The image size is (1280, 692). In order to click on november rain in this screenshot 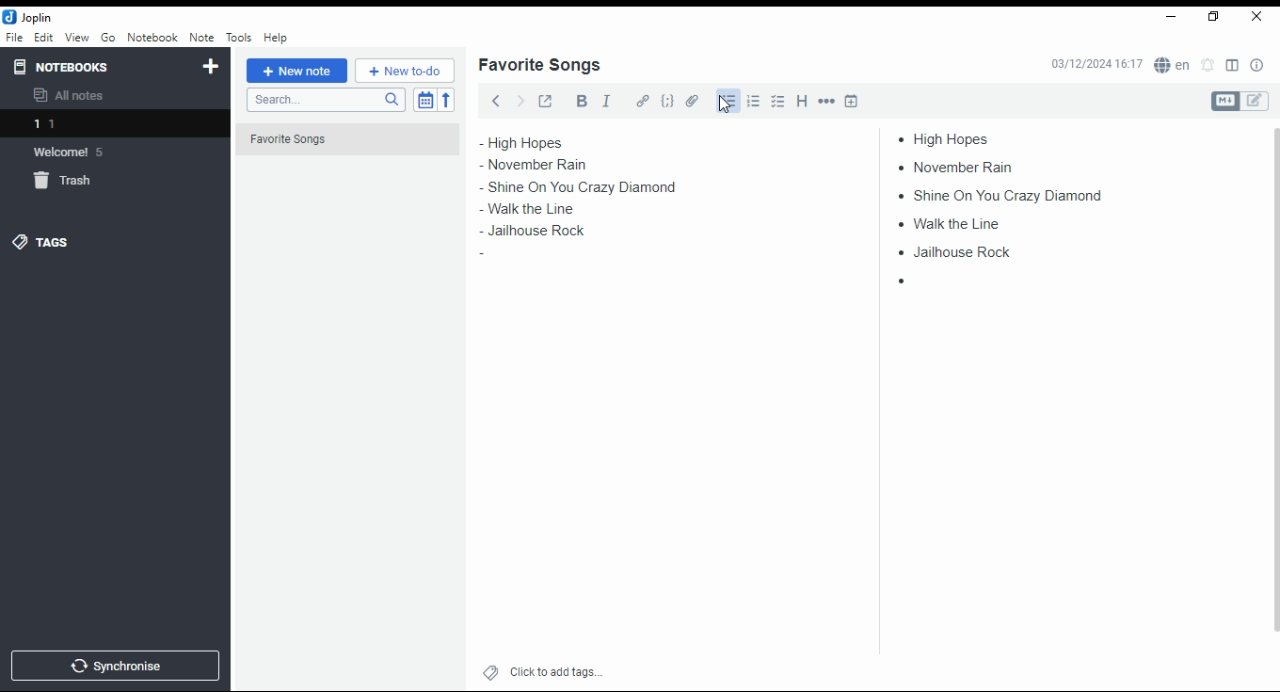, I will do `click(548, 165)`.